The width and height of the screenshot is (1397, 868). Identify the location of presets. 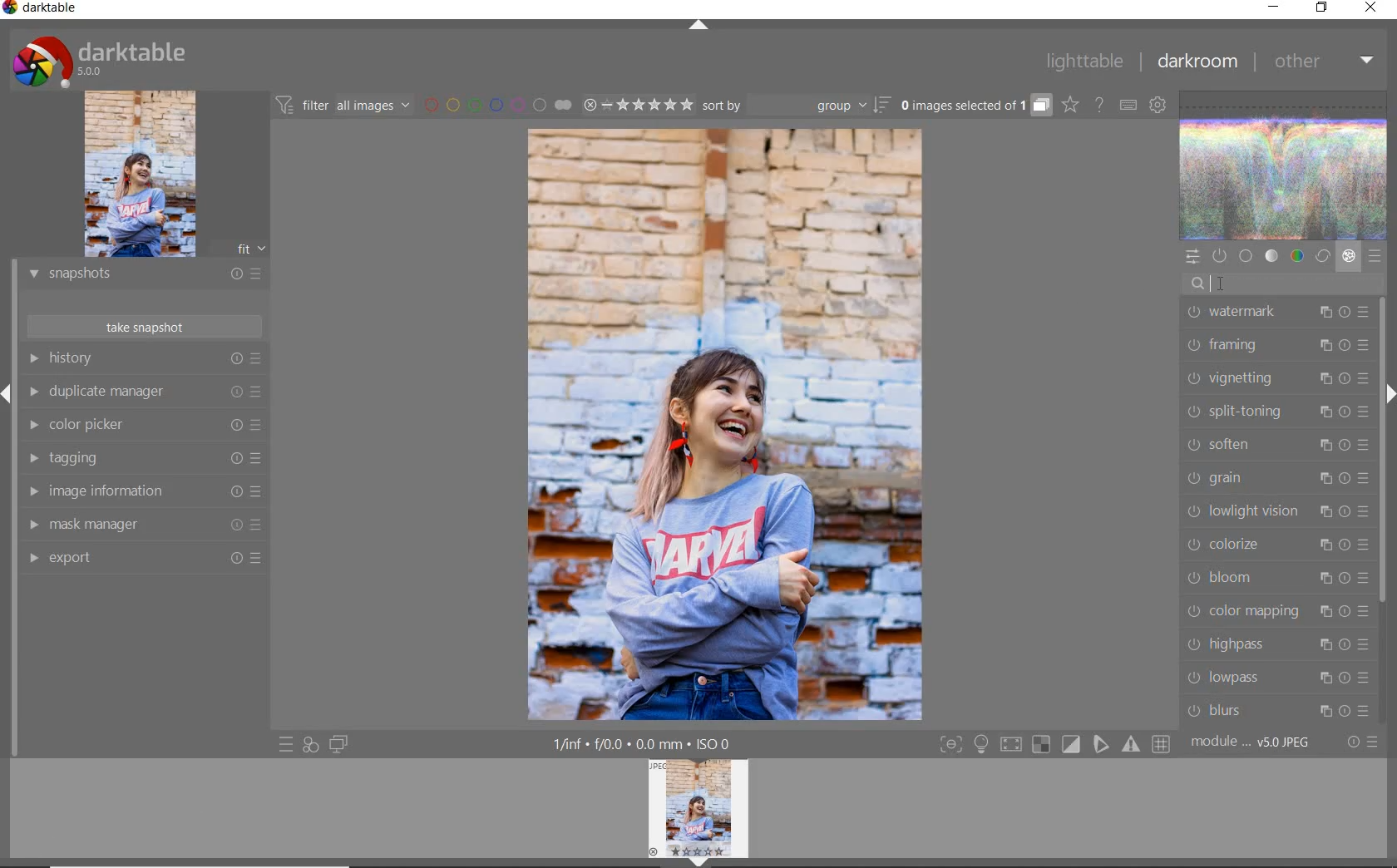
(1375, 256).